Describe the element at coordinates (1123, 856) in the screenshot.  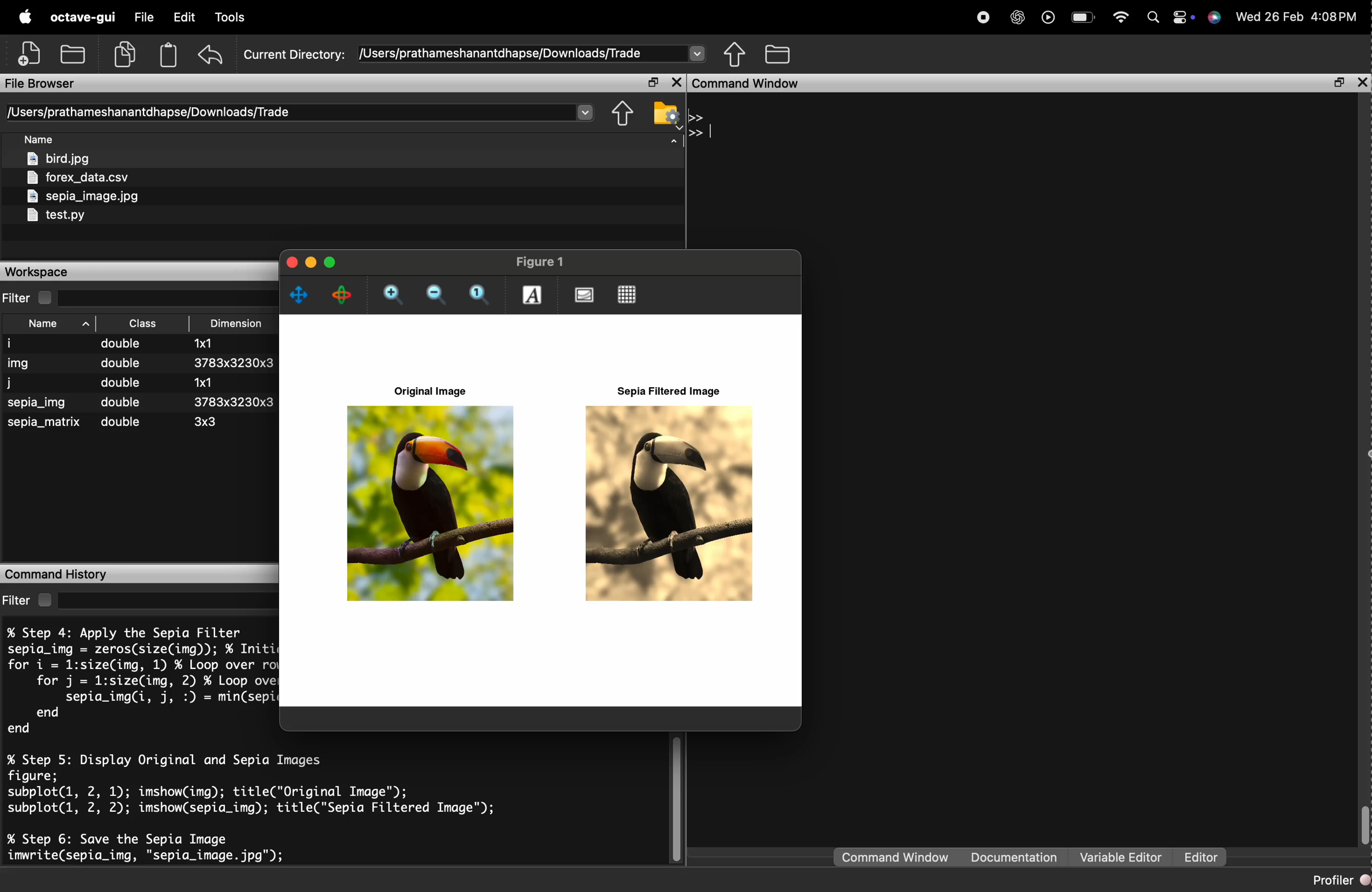
I see `Variable editor` at that location.